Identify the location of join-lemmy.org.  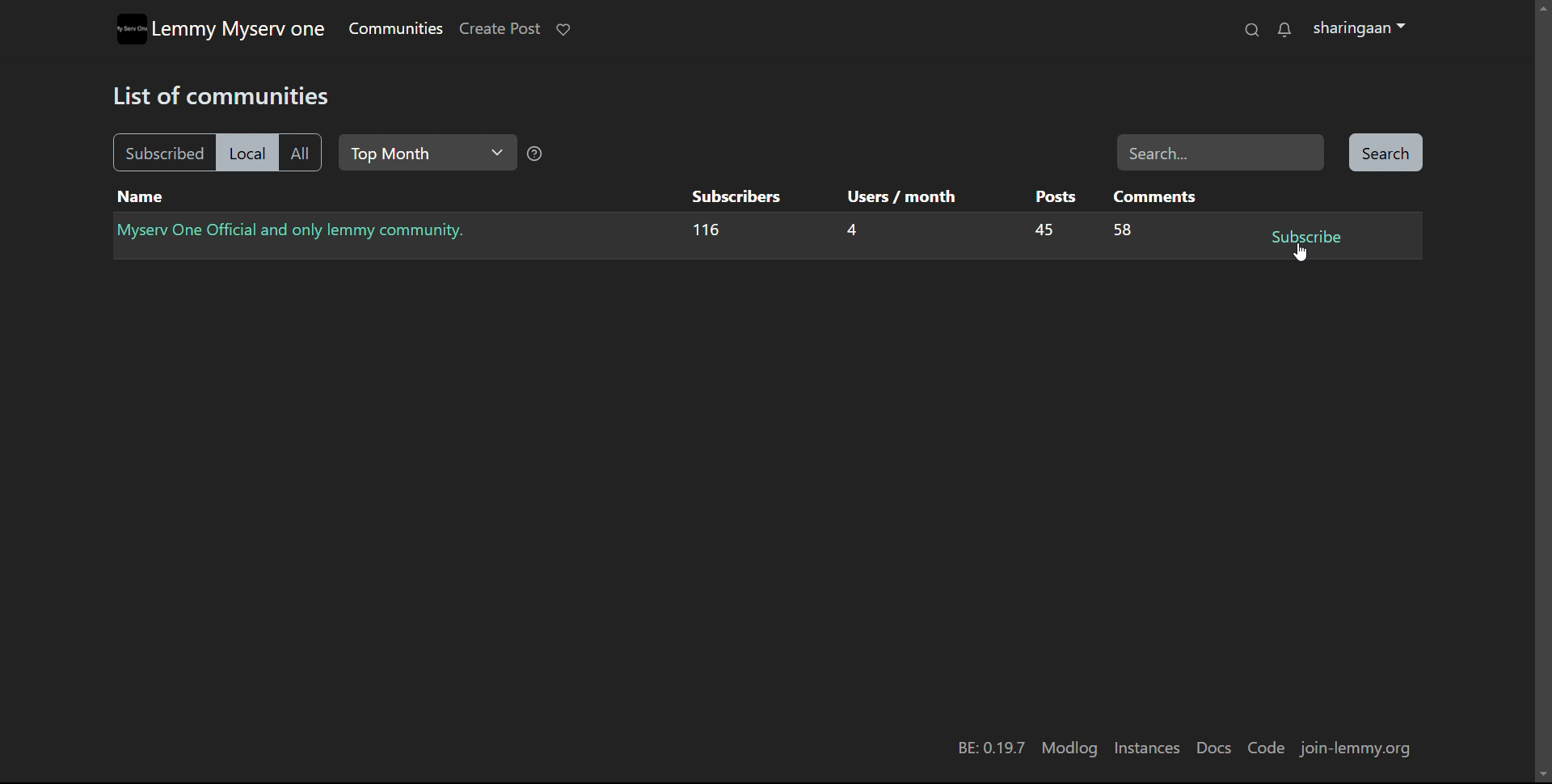
(1361, 750).